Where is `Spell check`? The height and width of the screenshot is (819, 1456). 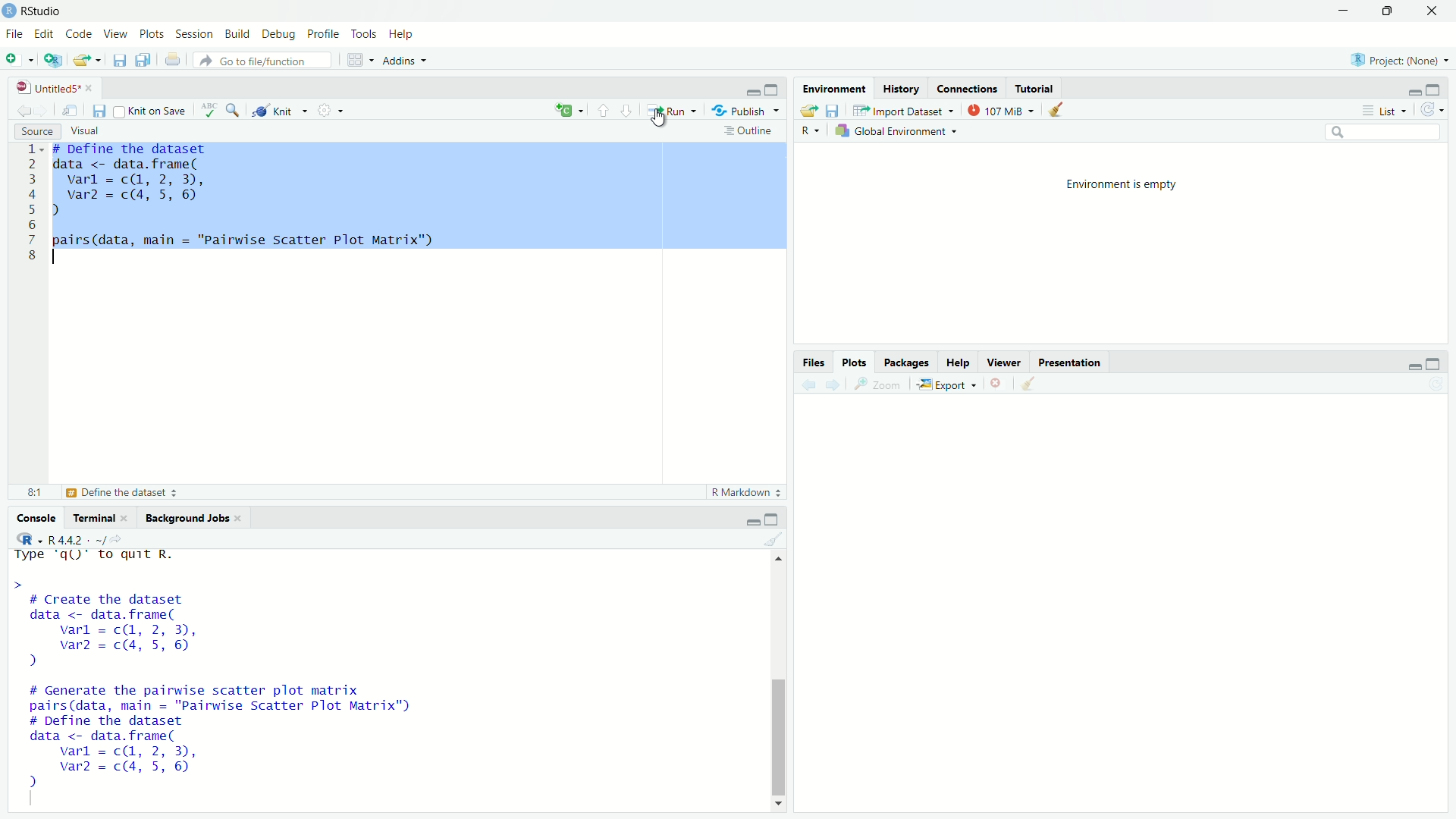 Spell check is located at coordinates (209, 111).